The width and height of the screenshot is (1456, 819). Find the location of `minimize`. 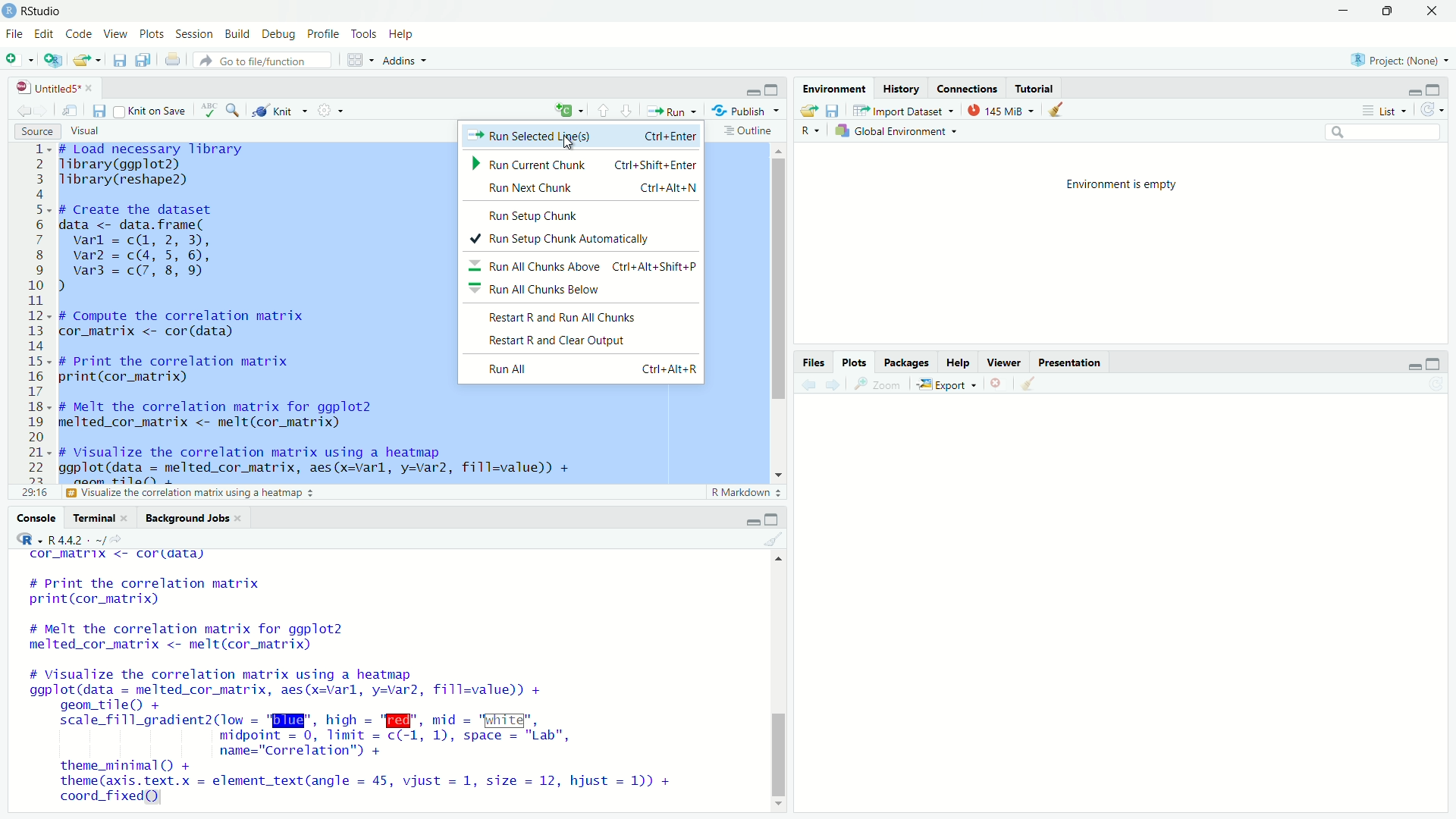

minimize is located at coordinates (1414, 89).